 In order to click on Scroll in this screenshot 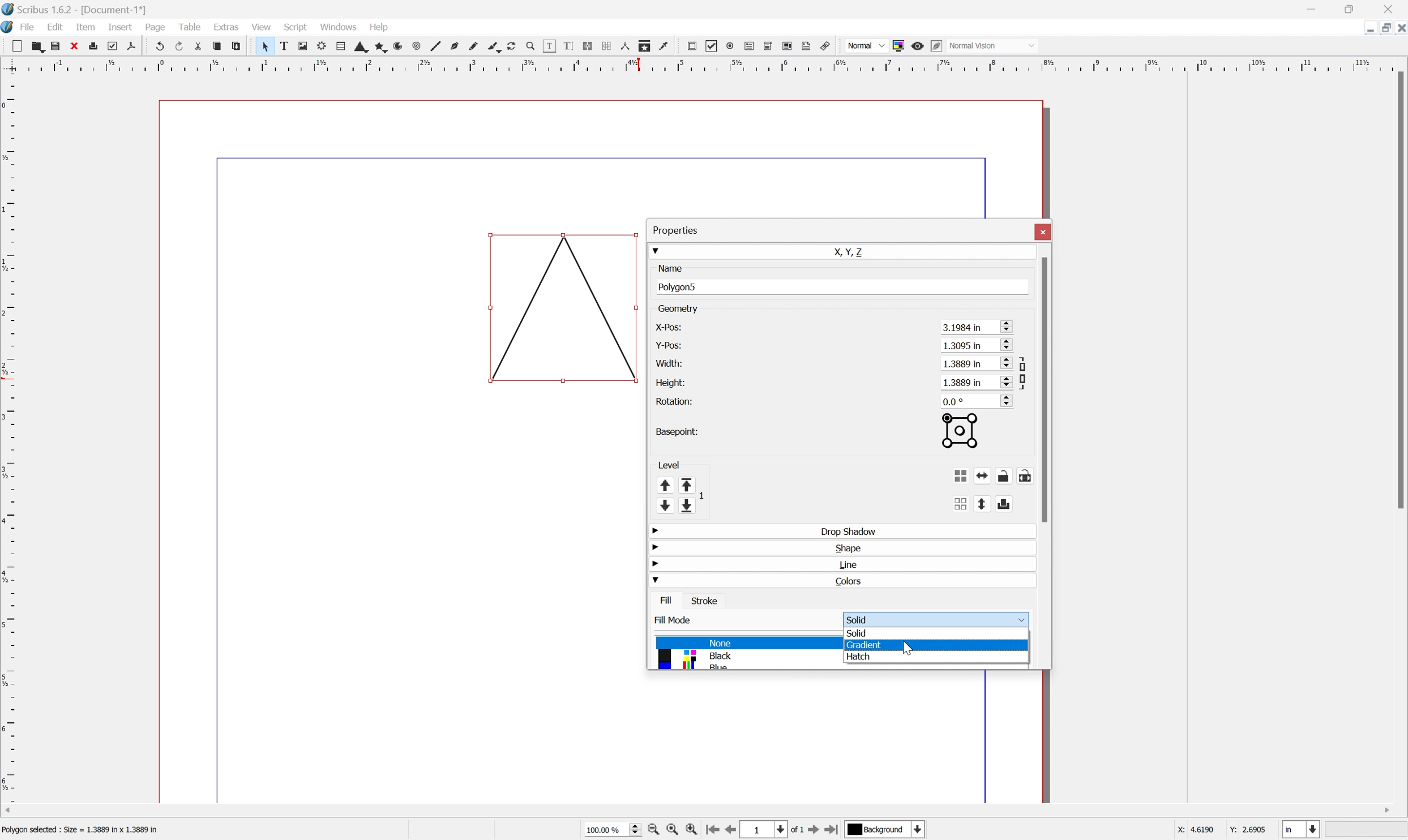, I will do `click(1018, 362)`.